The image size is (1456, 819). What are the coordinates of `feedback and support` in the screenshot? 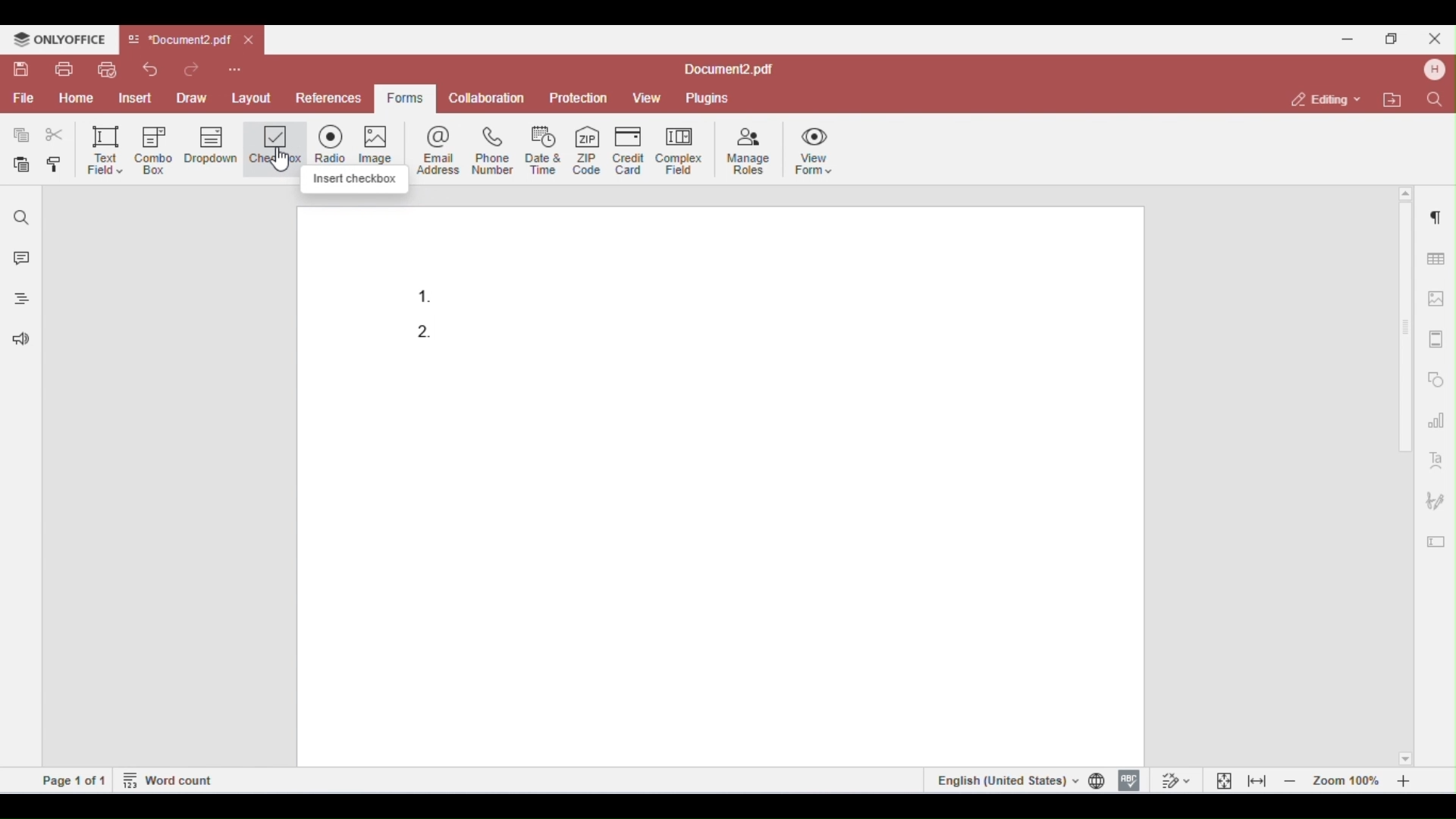 It's located at (17, 341).